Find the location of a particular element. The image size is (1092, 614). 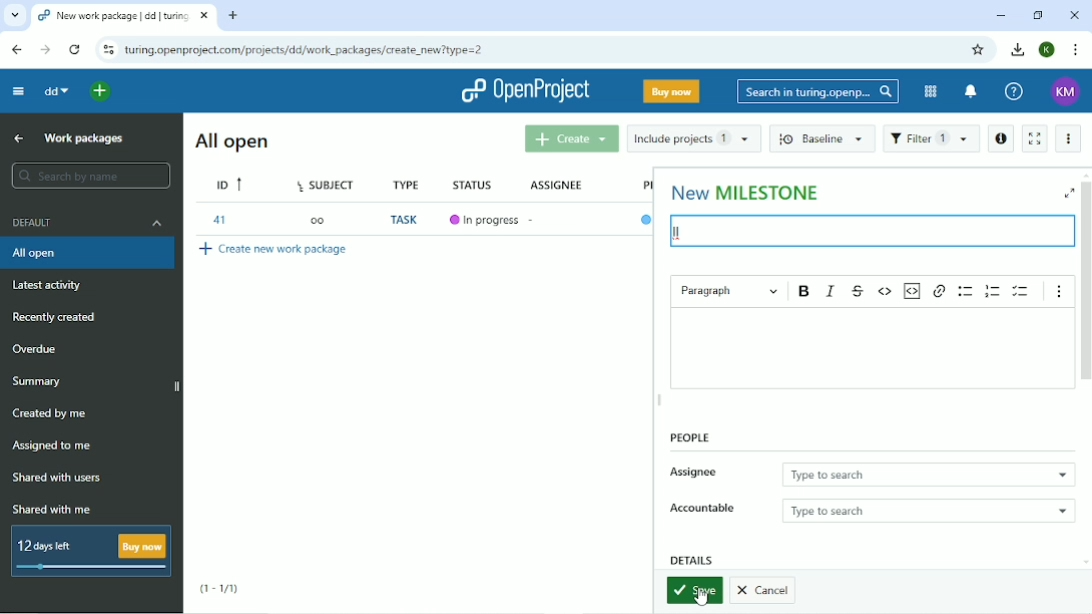

To notification center is located at coordinates (971, 91).